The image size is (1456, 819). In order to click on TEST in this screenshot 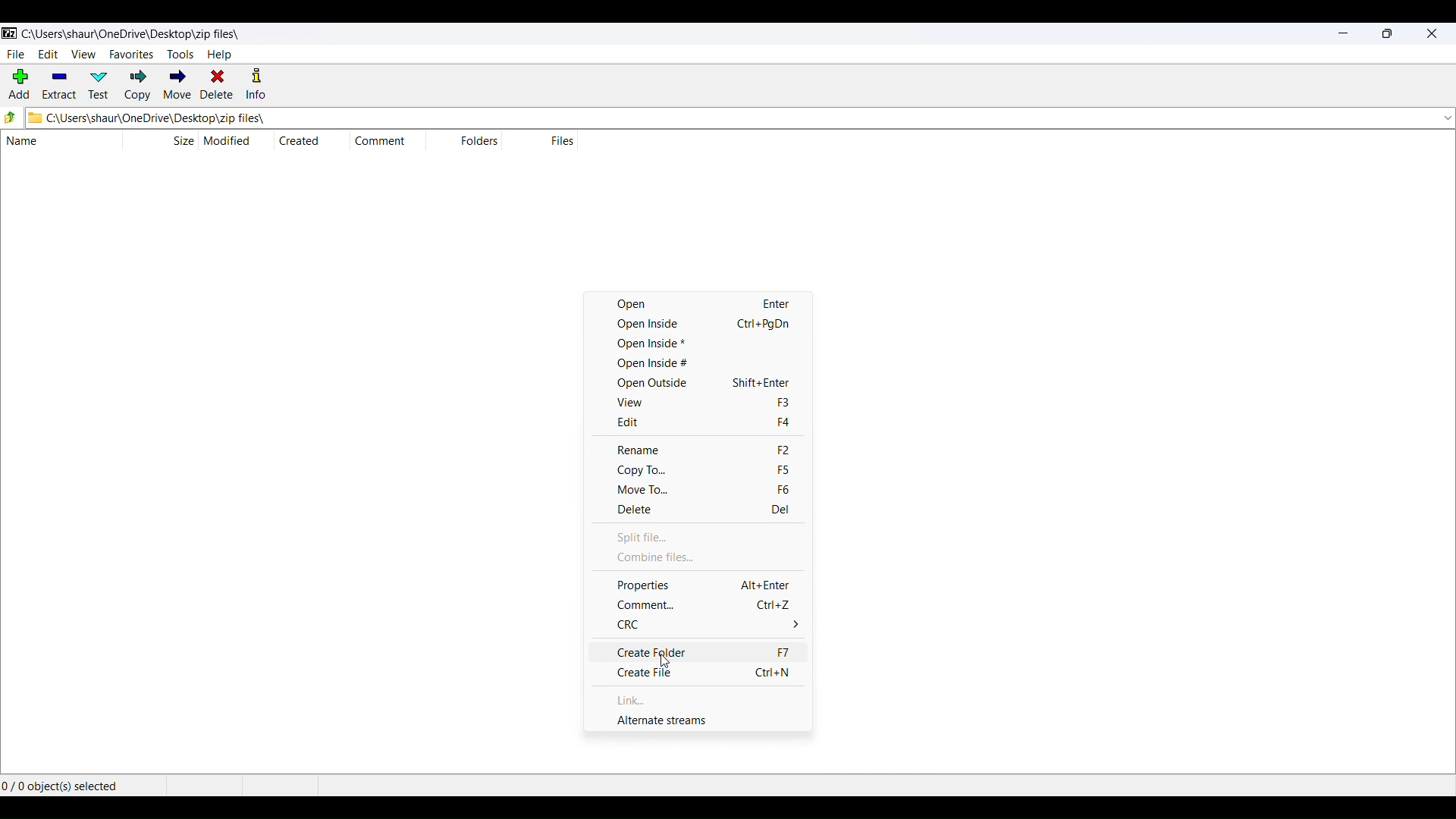, I will do `click(101, 85)`.